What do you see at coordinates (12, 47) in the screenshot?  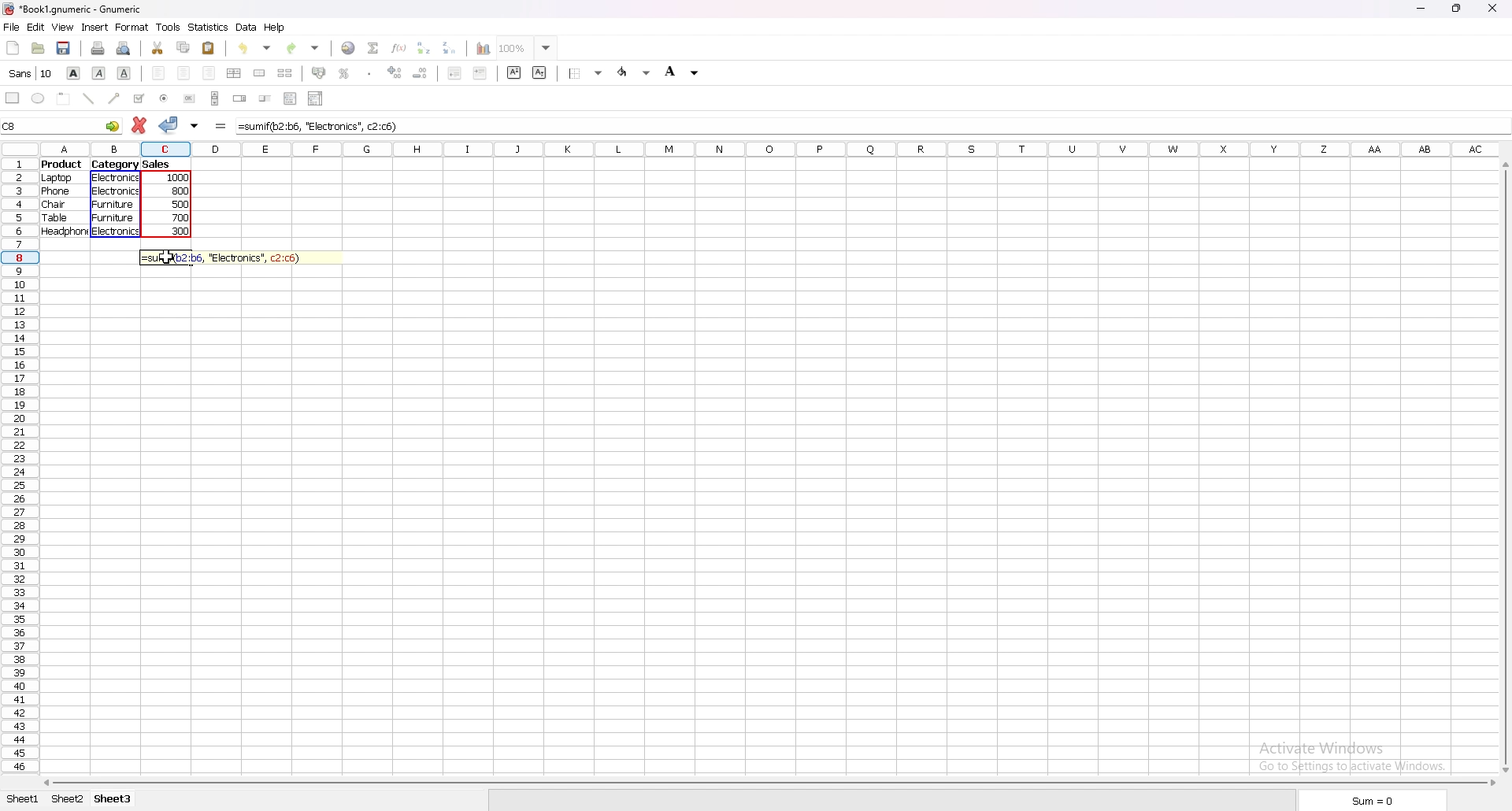 I see `new` at bounding box center [12, 47].